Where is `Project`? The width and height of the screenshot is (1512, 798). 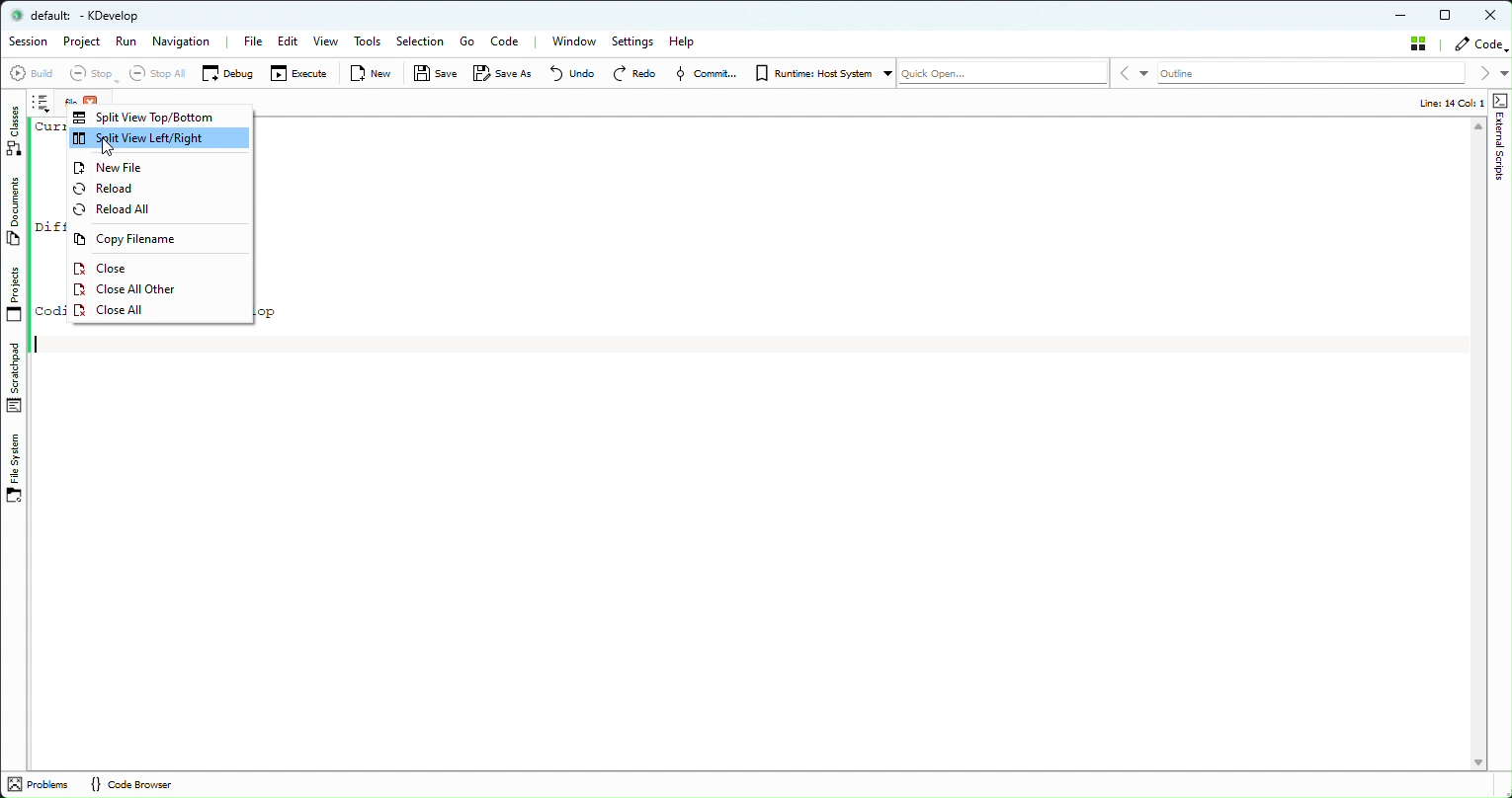
Project is located at coordinates (85, 43).